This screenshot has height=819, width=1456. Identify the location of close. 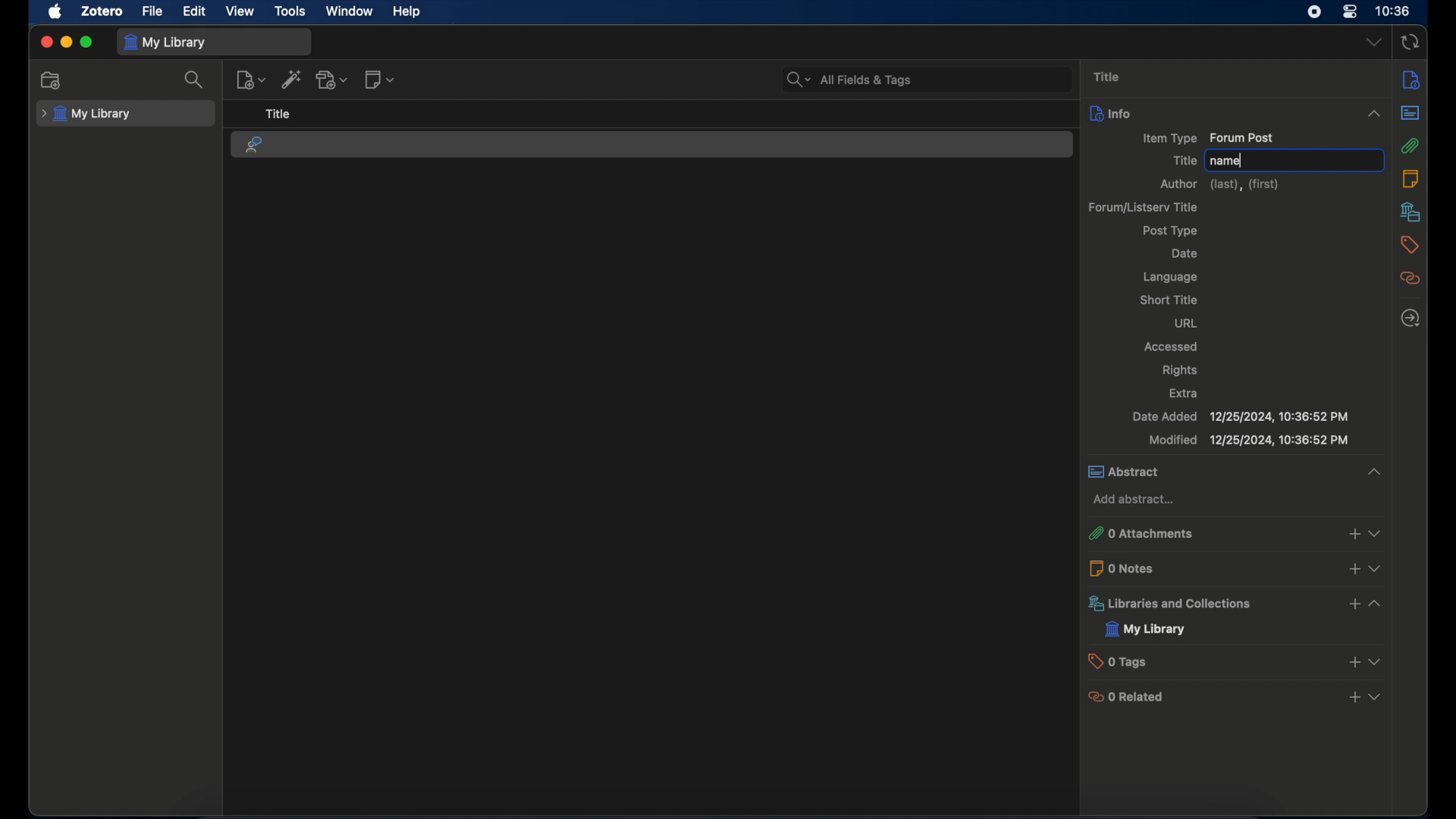
(46, 42).